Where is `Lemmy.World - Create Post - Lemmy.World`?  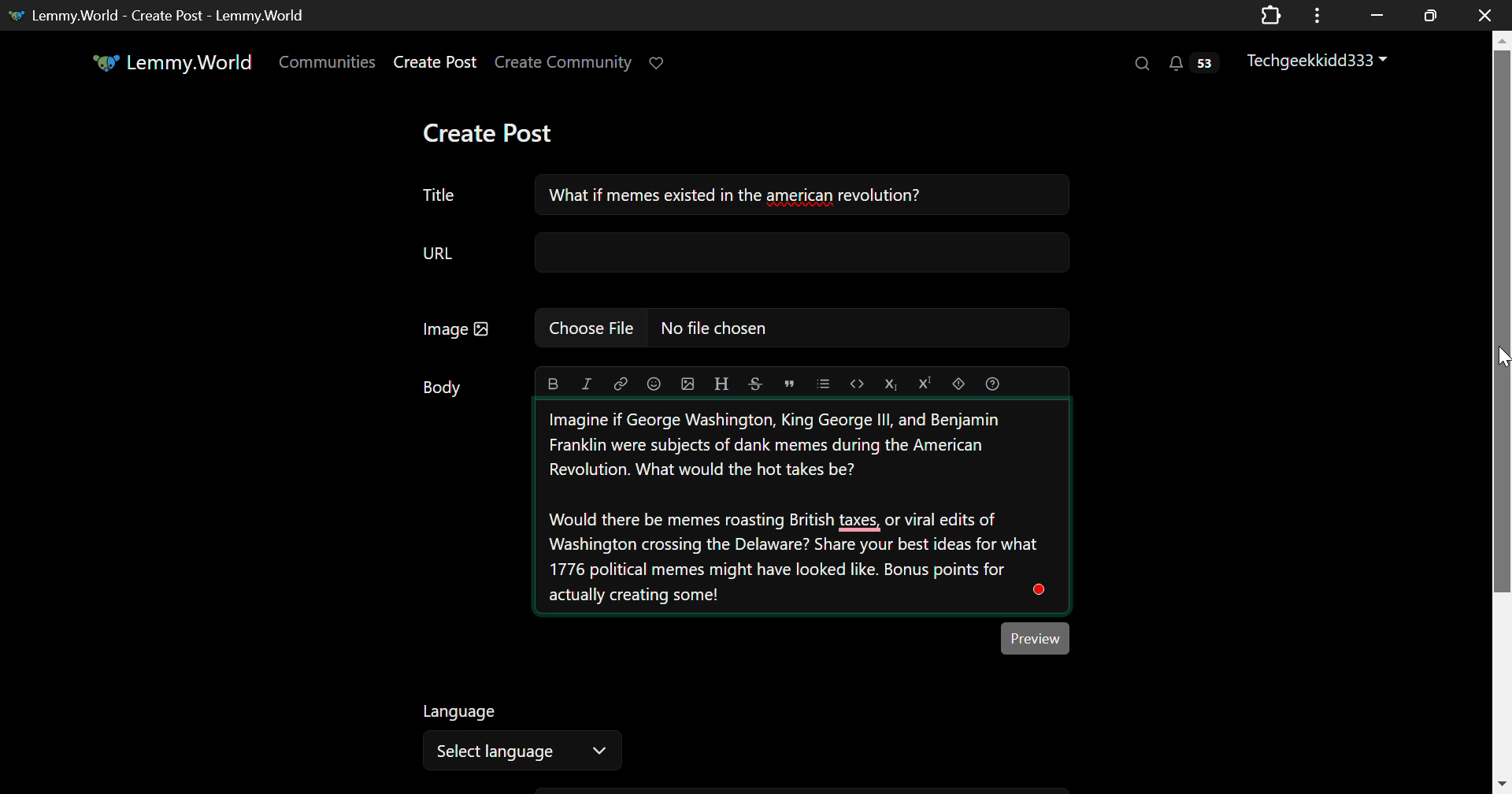 Lemmy.World - Create Post - Lemmy.World is located at coordinates (169, 15).